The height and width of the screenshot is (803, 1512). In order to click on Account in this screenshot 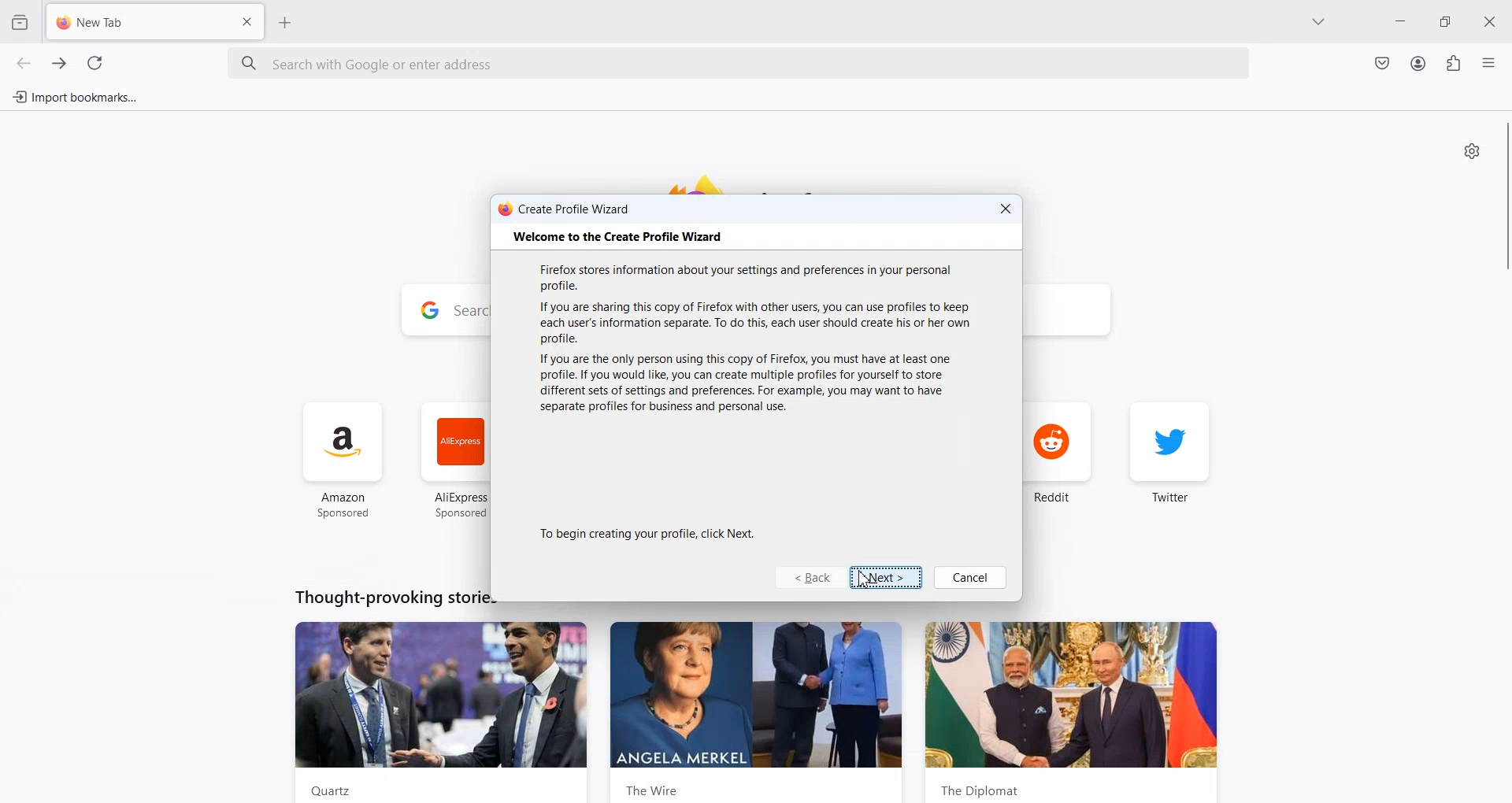, I will do `click(1418, 63)`.